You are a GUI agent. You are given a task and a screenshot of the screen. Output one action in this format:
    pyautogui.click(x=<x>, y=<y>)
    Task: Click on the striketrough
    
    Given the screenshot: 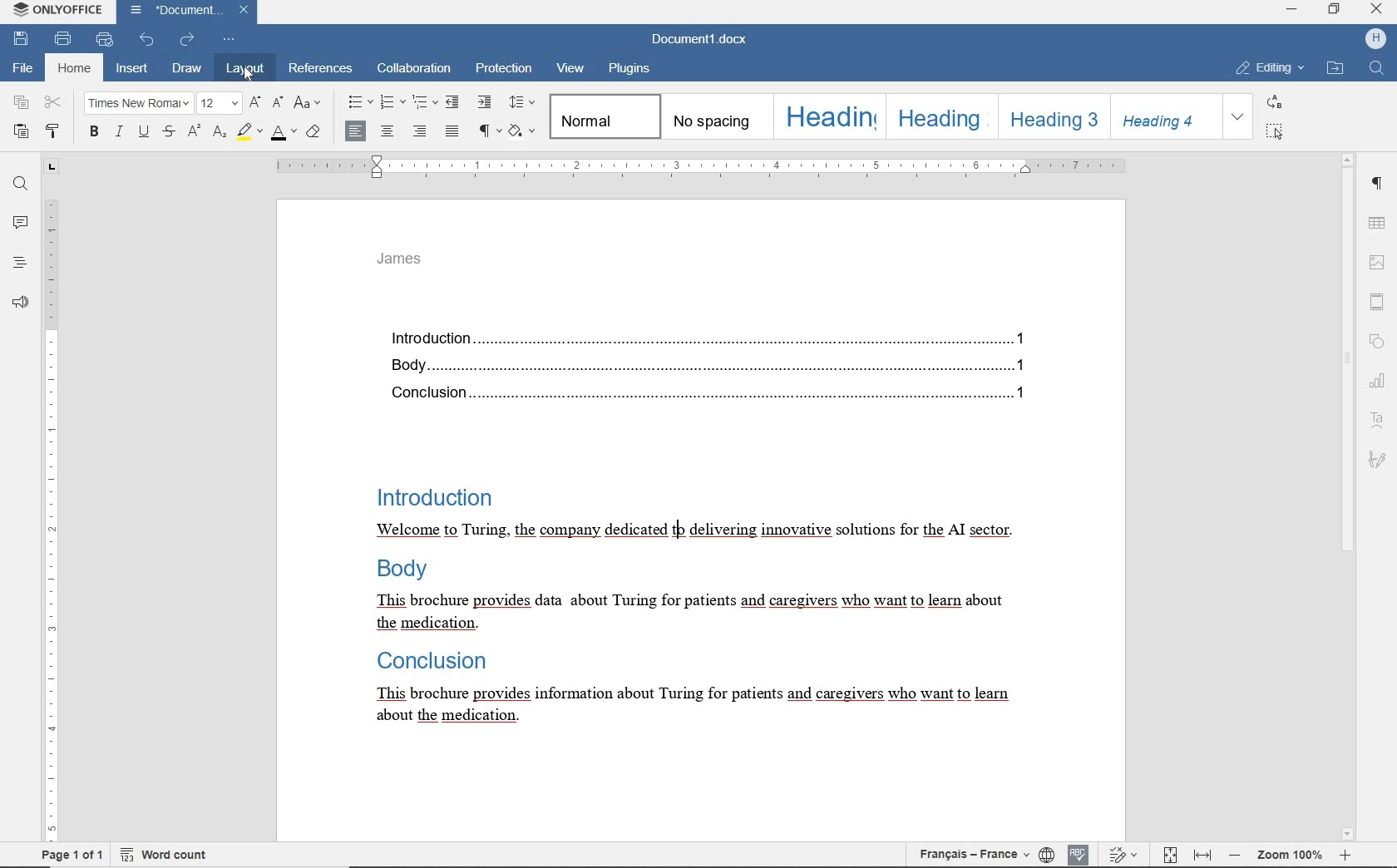 What is the action you would take?
    pyautogui.click(x=169, y=131)
    